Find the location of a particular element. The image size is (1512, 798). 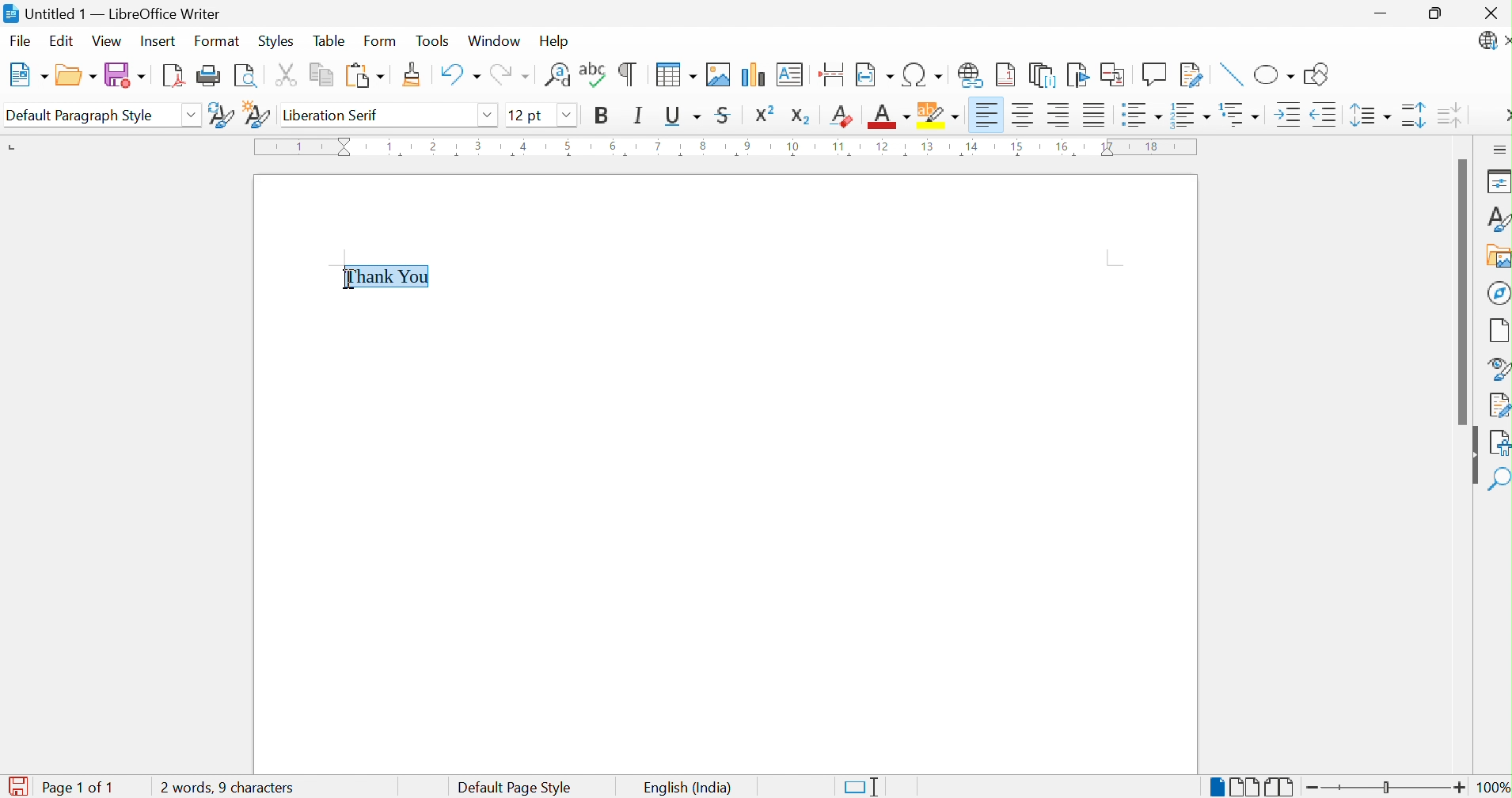

Insert Image is located at coordinates (716, 74).